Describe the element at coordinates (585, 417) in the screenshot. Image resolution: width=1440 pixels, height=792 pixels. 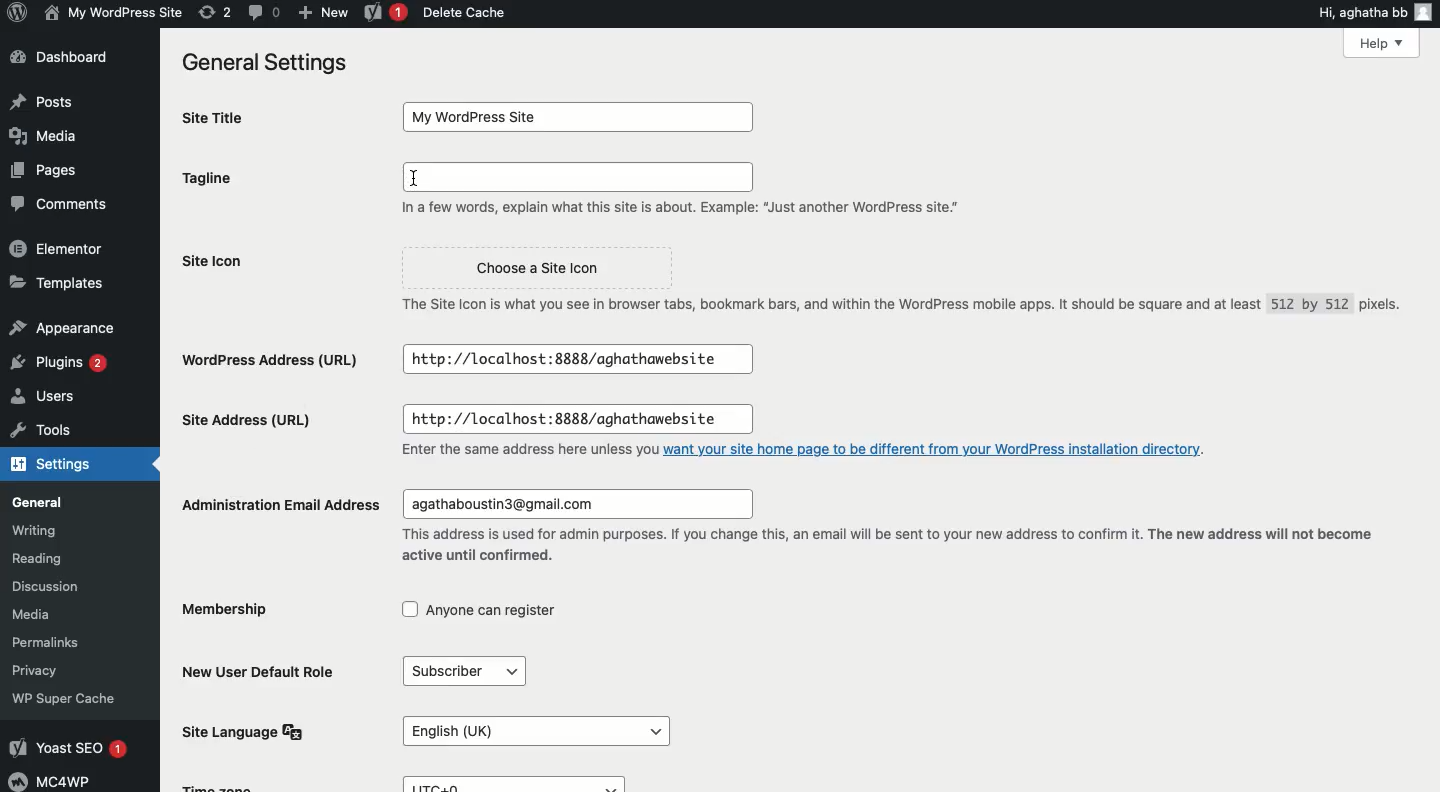
I see `http://localhost:8888/aghathawebsite ` at that location.